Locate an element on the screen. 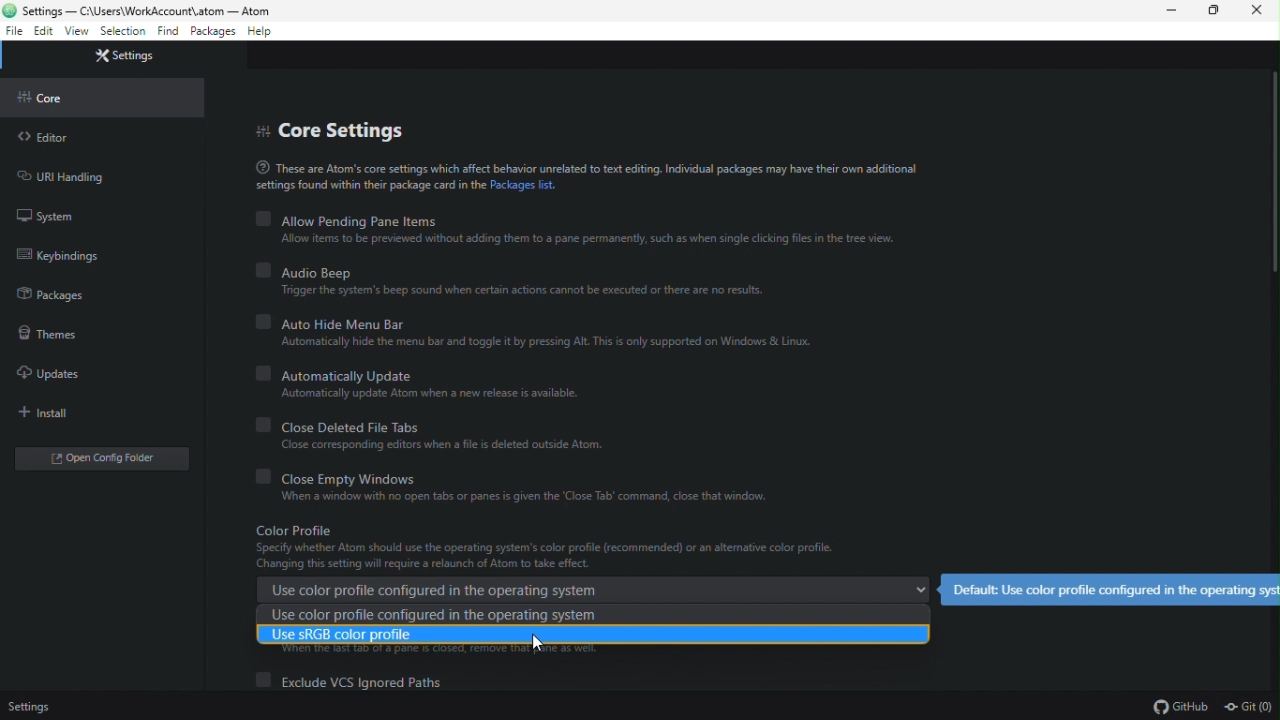 This screenshot has width=1280, height=720. color profile is located at coordinates (585, 545).